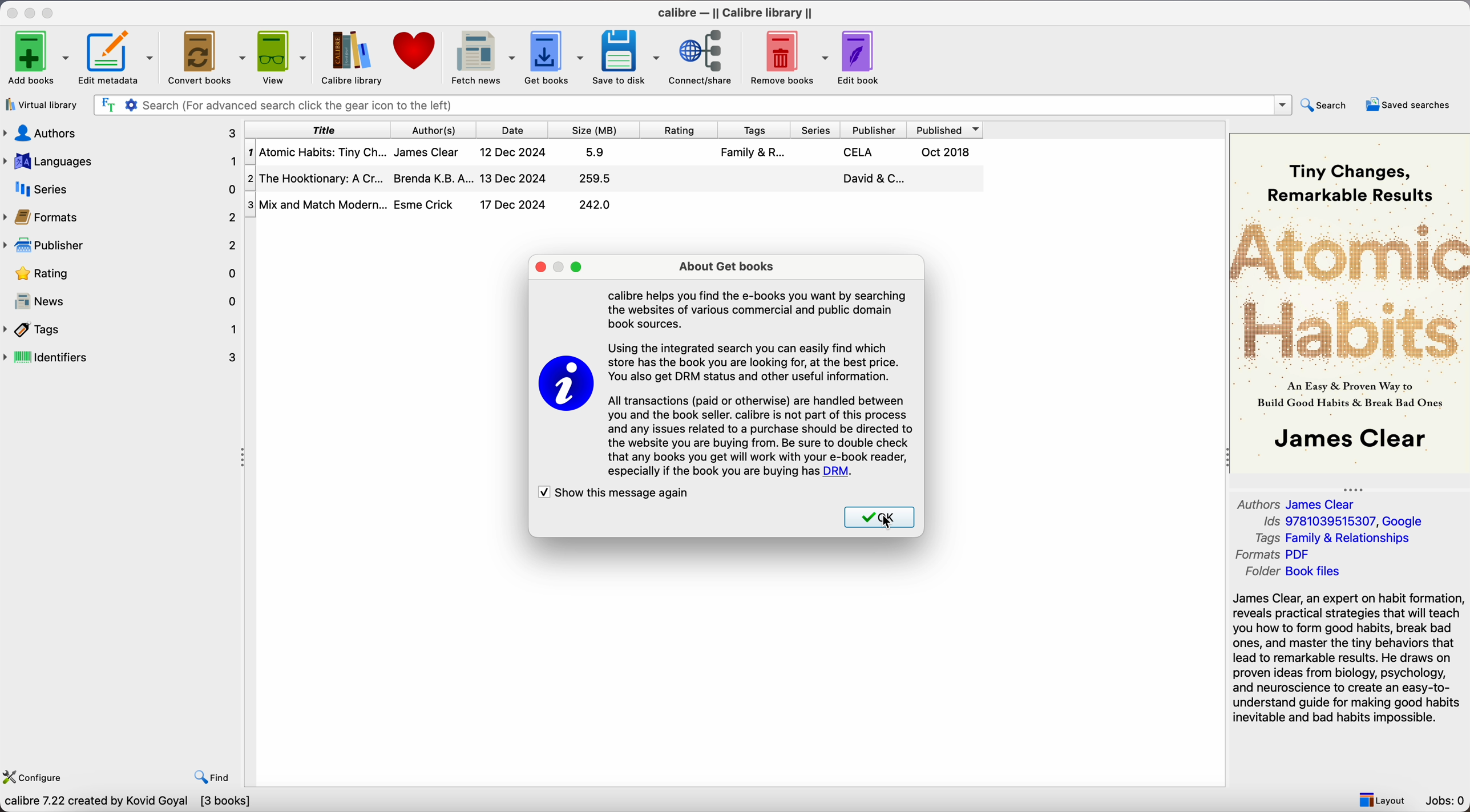 This screenshot has height=812, width=1470. What do you see at coordinates (1298, 503) in the screenshot?
I see `Authors James Clear` at bounding box center [1298, 503].